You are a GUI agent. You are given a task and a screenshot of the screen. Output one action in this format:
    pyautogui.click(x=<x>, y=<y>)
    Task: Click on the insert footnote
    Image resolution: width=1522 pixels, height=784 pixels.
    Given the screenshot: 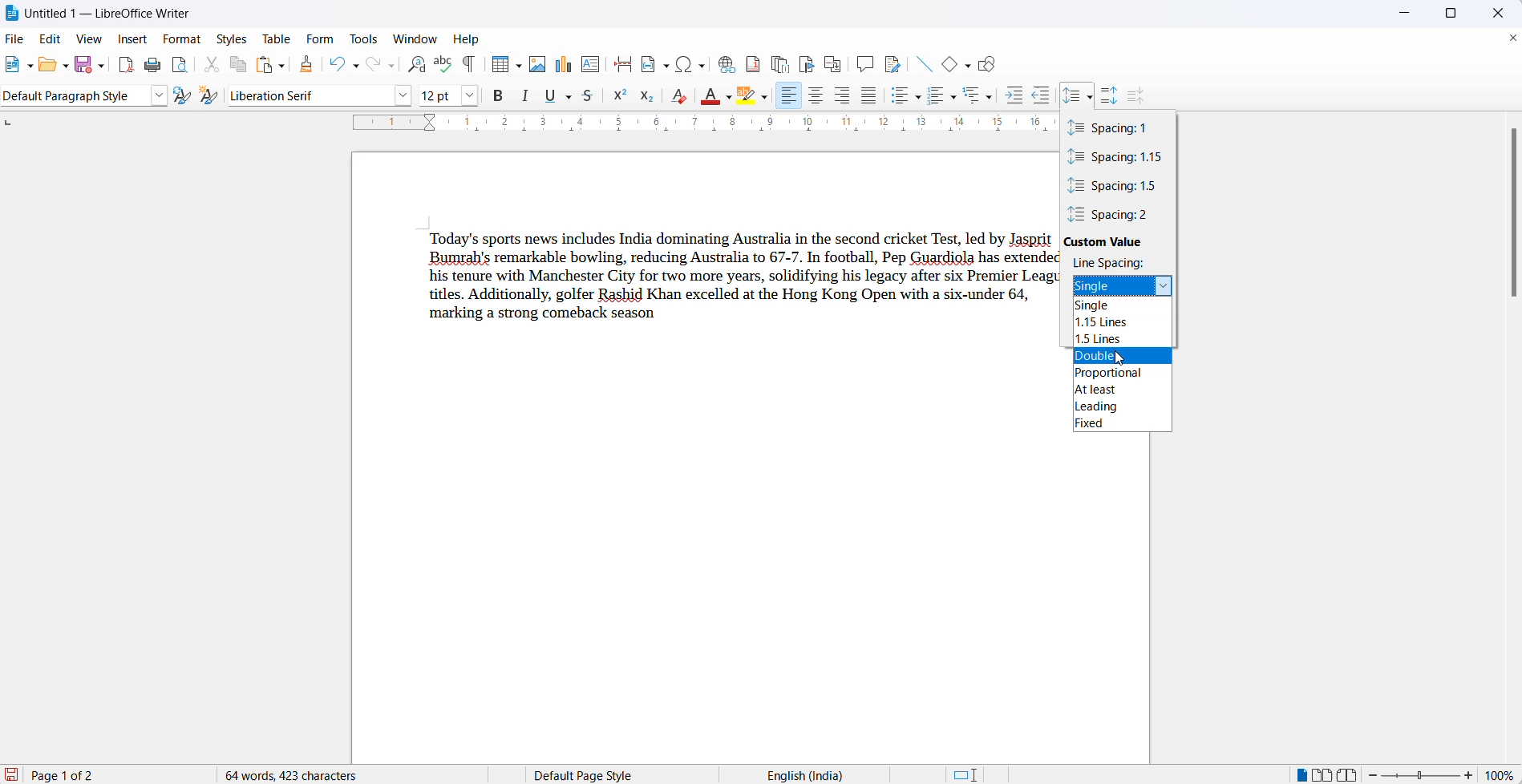 What is the action you would take?
    pyautogui.click(x=751, y=63)
    